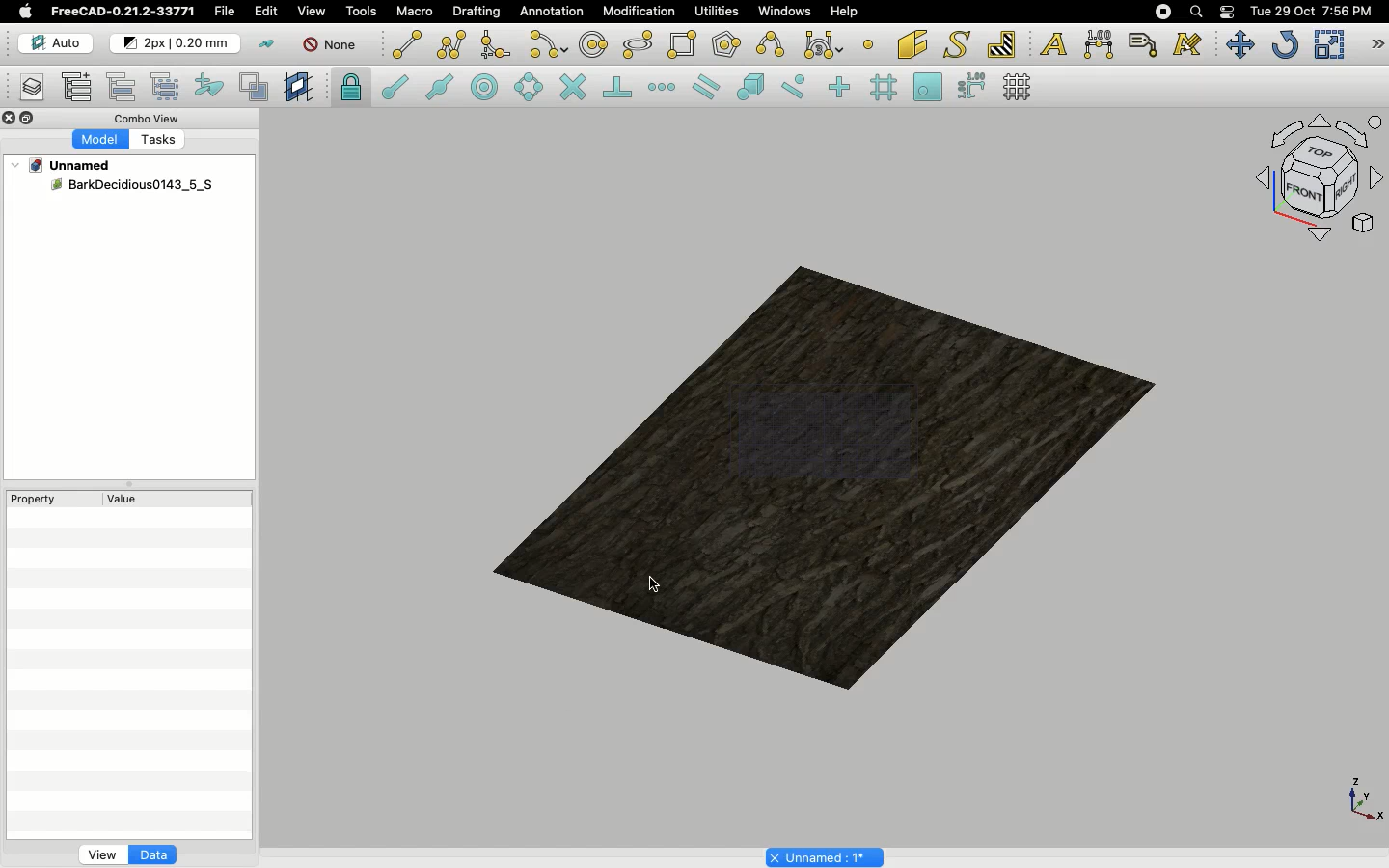 This screenshot has height=868, width=1389. What do you see at coordinates (407, 44) in the screenshot?
I see `Line` at bounding box center [407, 44].